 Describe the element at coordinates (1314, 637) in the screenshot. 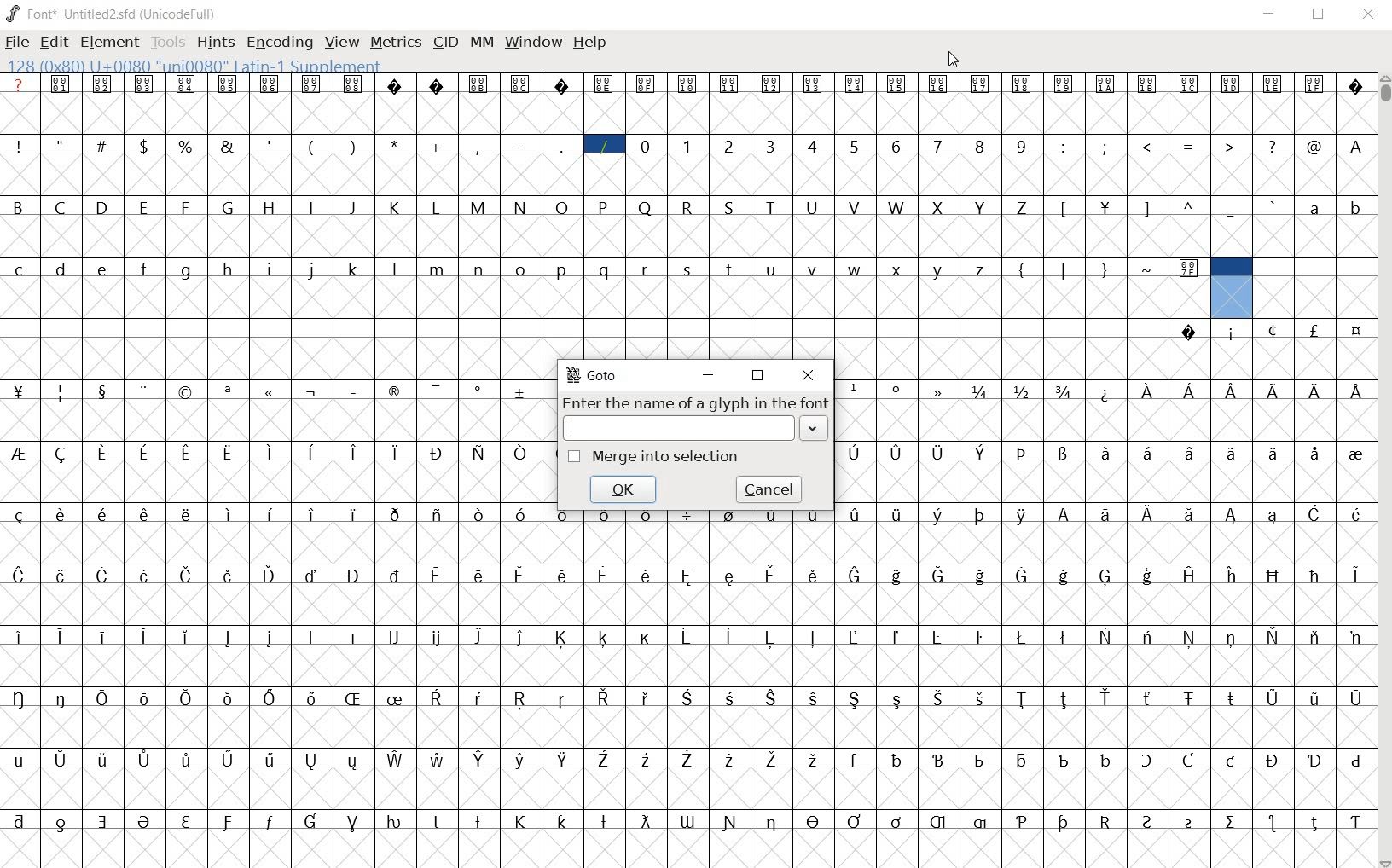

I see `Symbol` at that location.